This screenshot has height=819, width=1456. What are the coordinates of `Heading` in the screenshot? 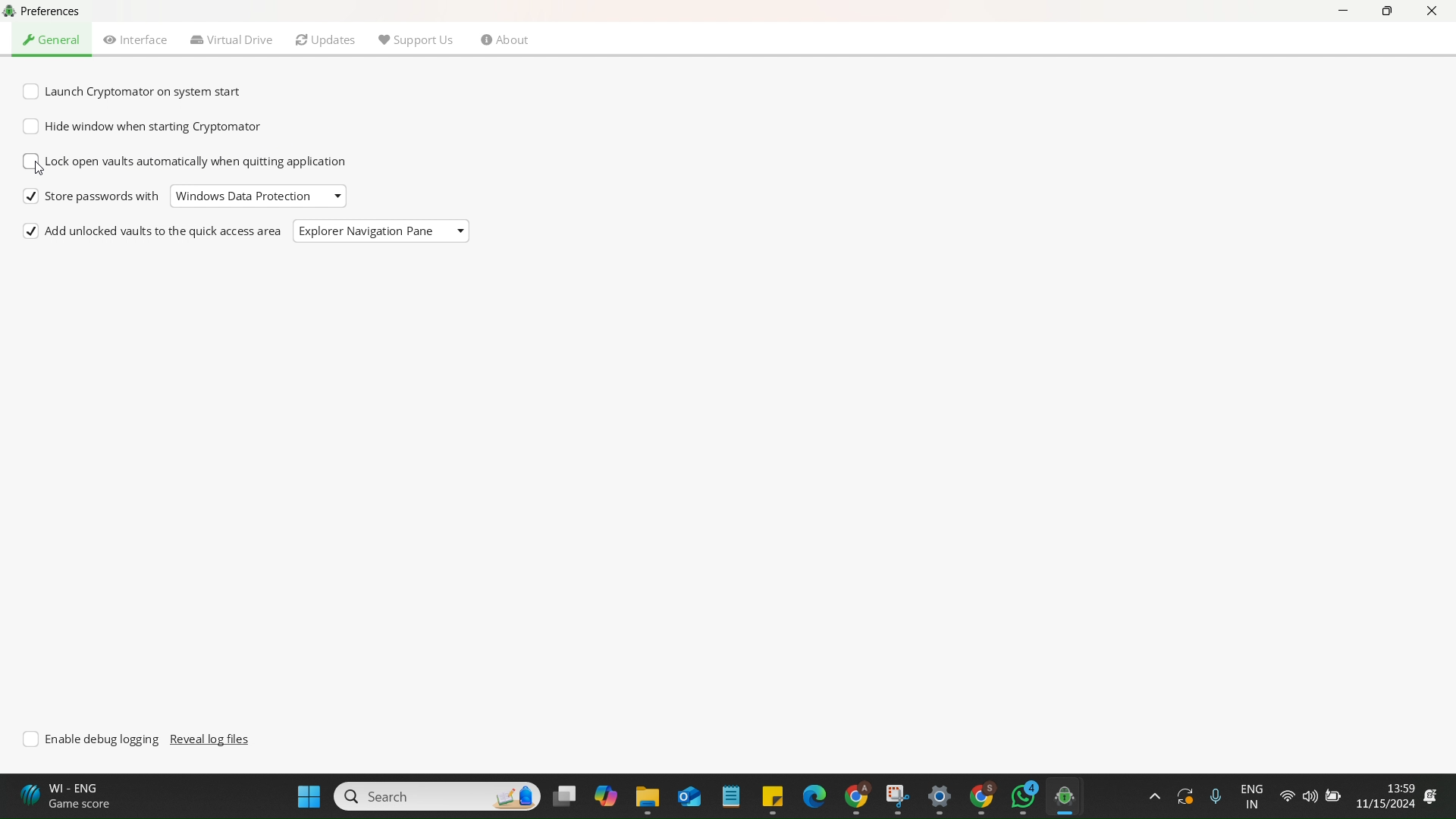 It's located at (61, 11).